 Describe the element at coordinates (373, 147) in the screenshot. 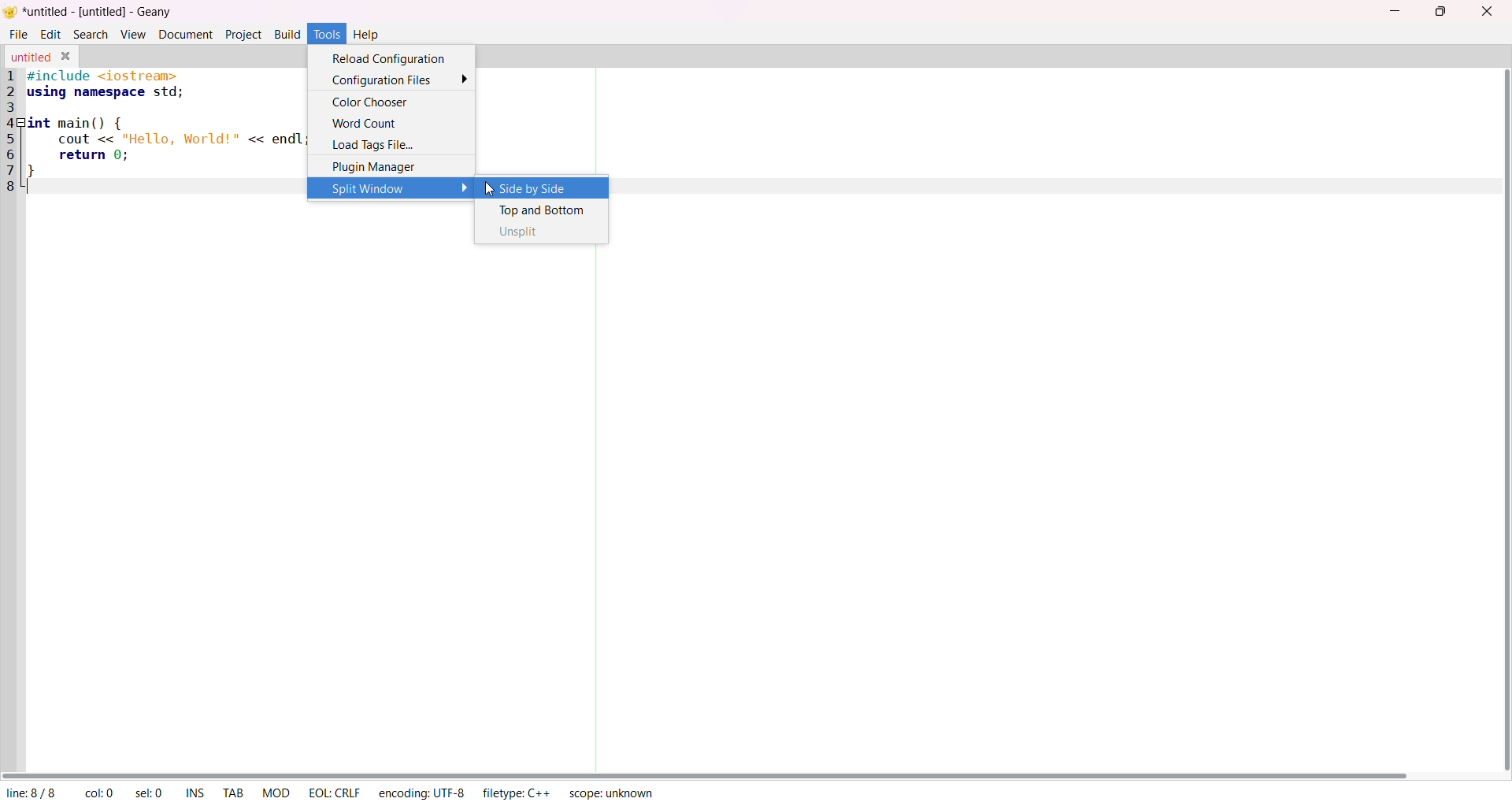

I see `Load Tags File...` at that location.